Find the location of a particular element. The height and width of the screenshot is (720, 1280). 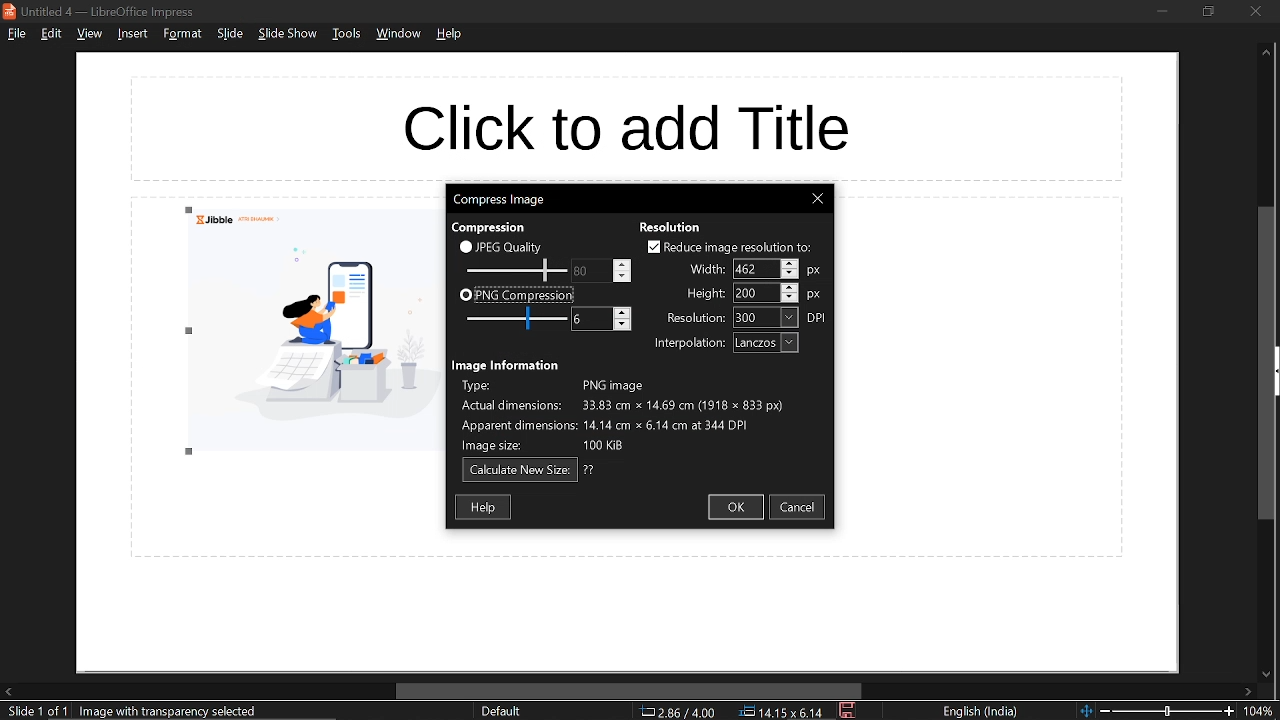

change zoom is located at coordinates (1157, 711).